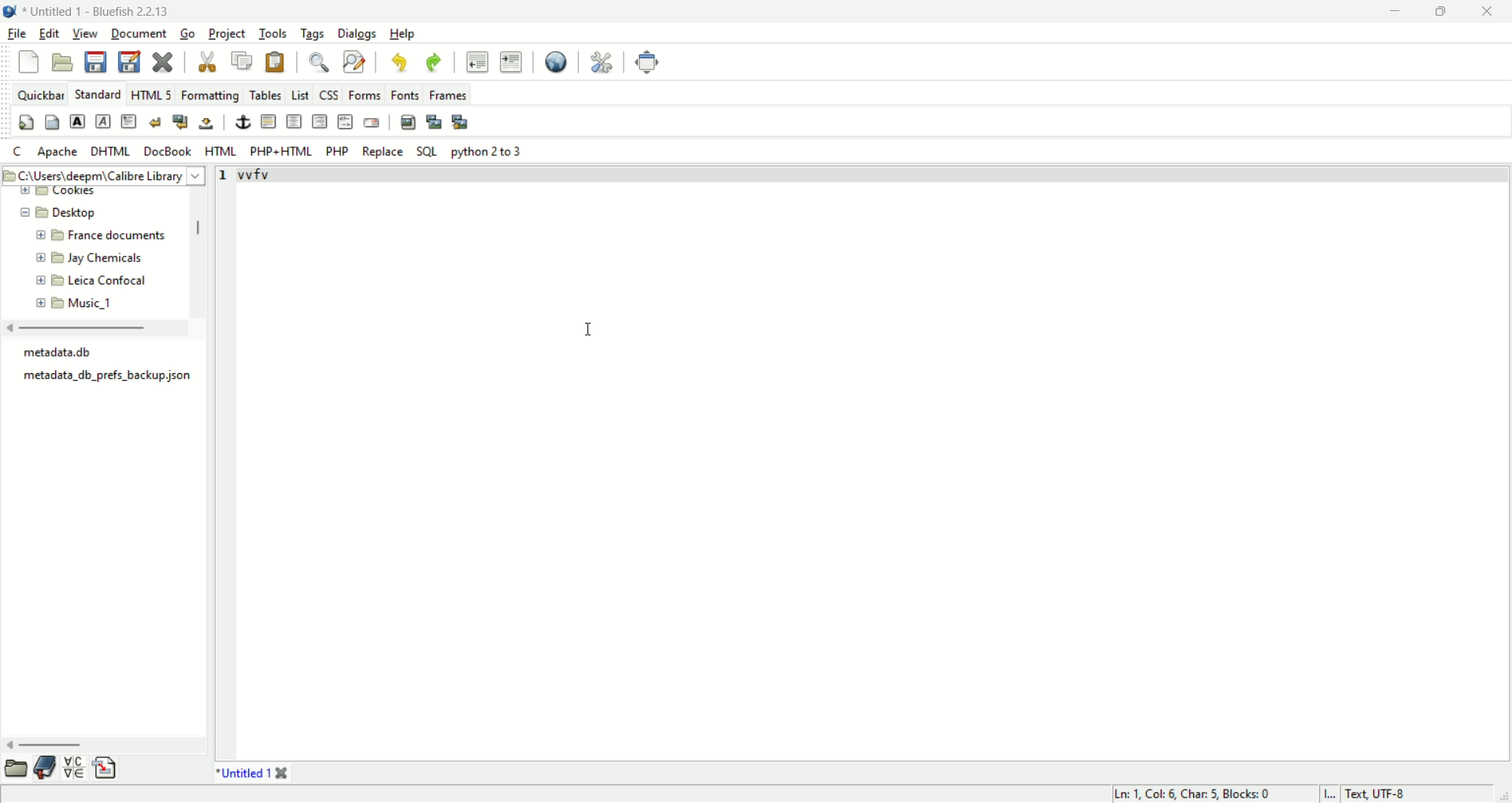 The width and height of the screenshot is (1512, 803). What do you see at coordinates (375, 120) in the screenshot?
I see `email` at bounding box center [375, 120].